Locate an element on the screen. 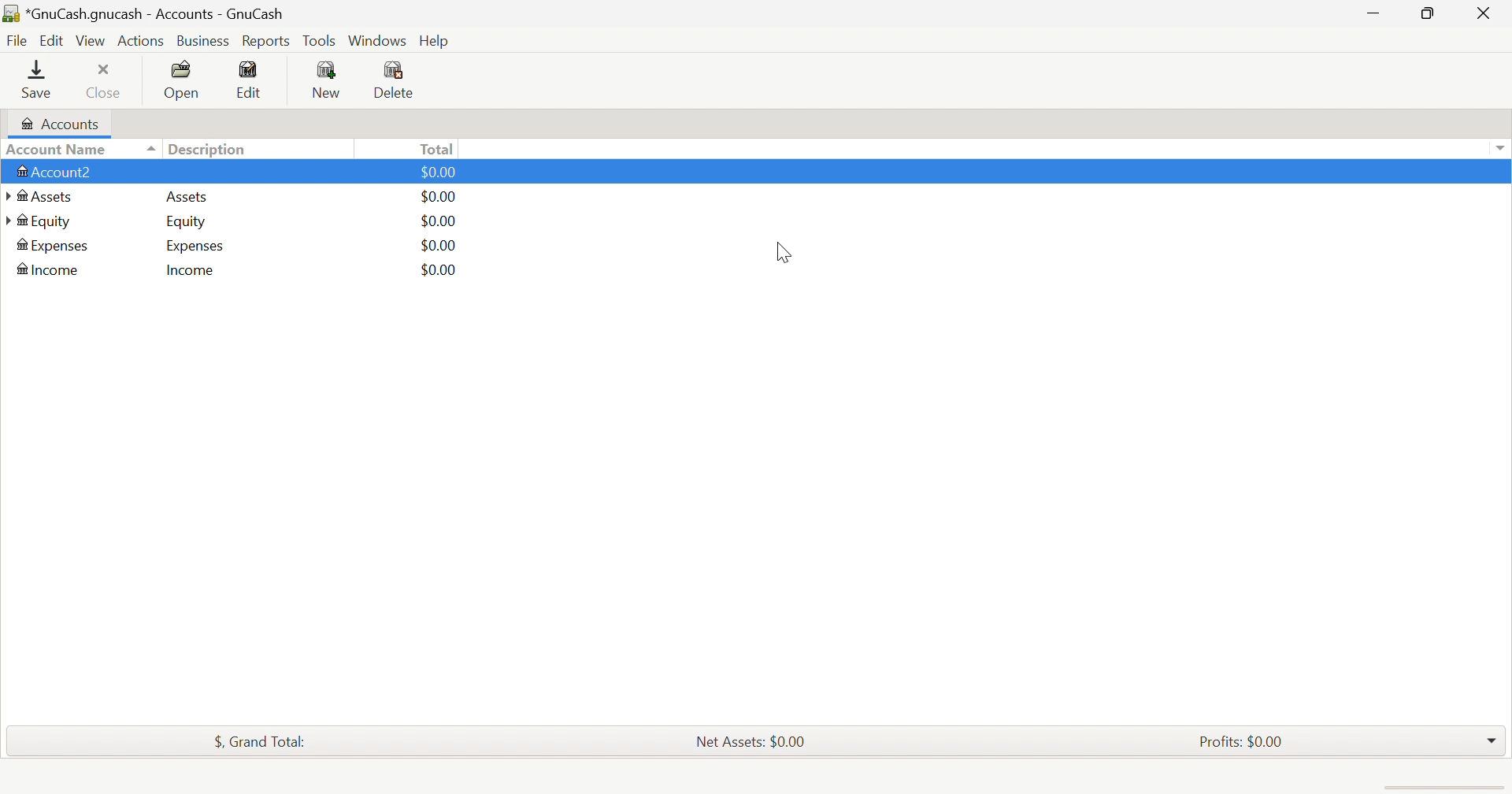 Image resolution: width=1512 pixels, height=794 pixels. Account Name is located at coordinates (82, 150).